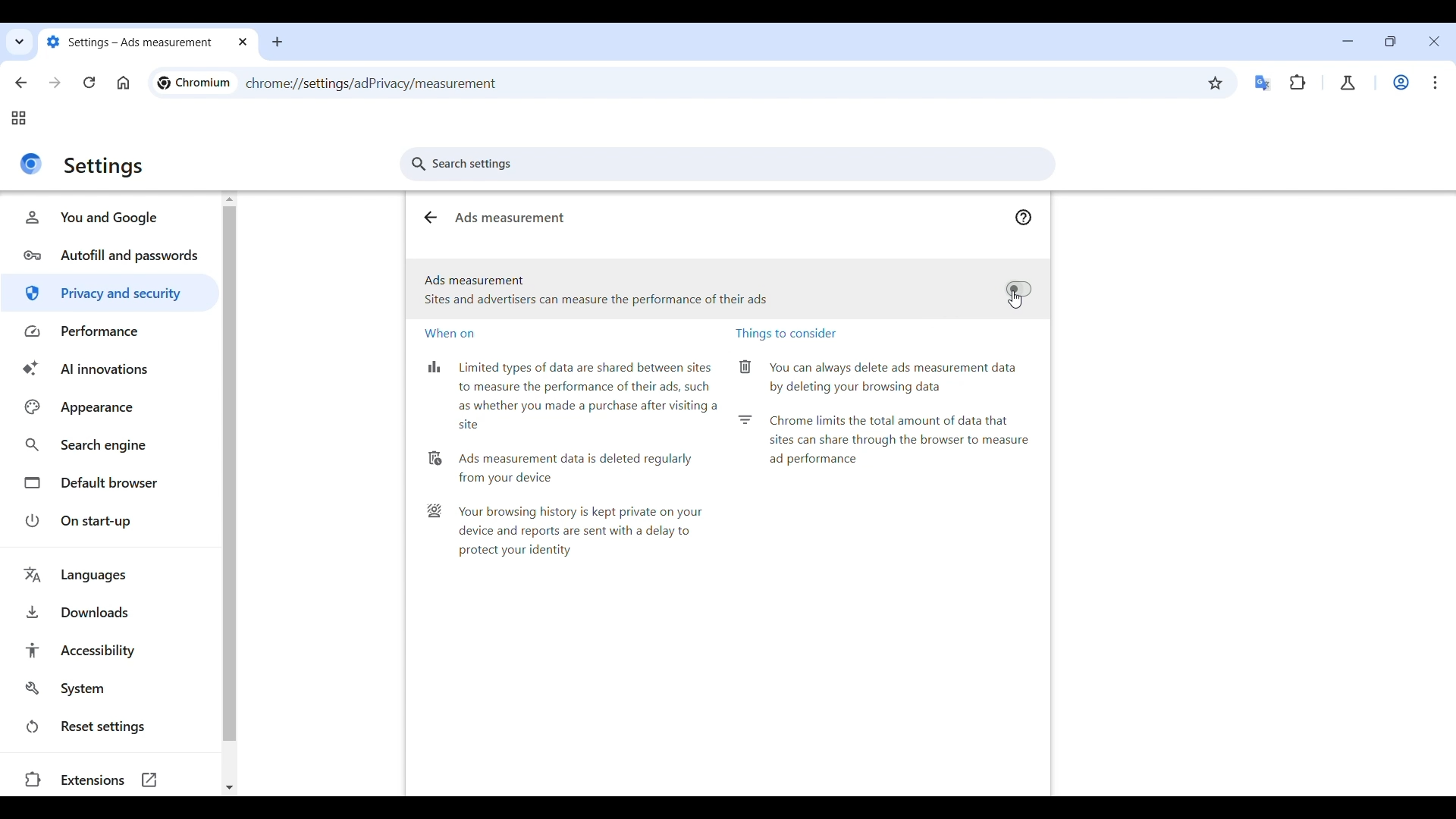 This screenshot has height=819, width=1456. What do you see at coordinates (111, 255) in the screenshot?
I see `Autofill and passwords` at bounding box center [111, 255].